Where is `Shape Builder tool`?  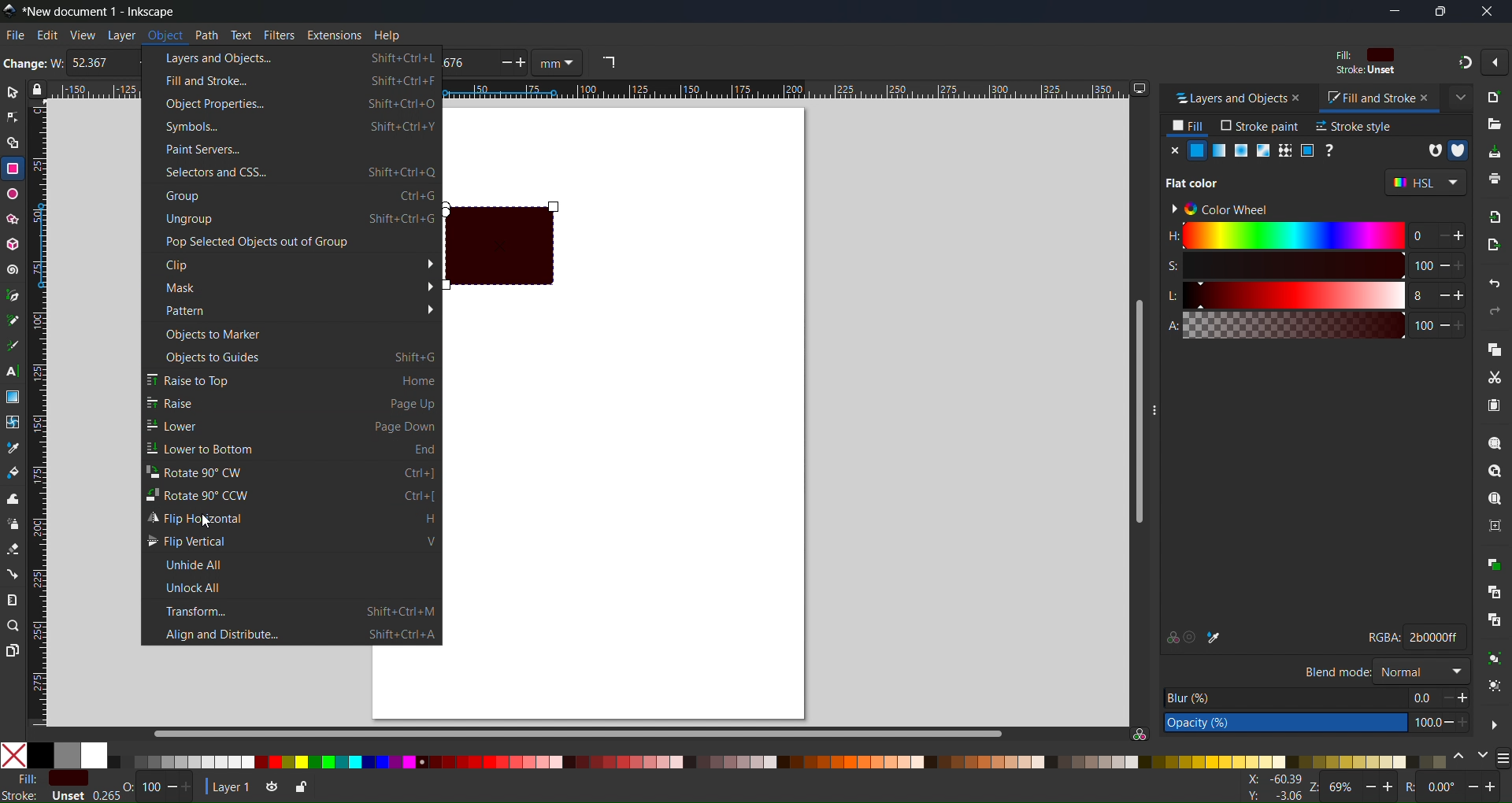 Shape Builder tool is located at coordinates (13, 142).